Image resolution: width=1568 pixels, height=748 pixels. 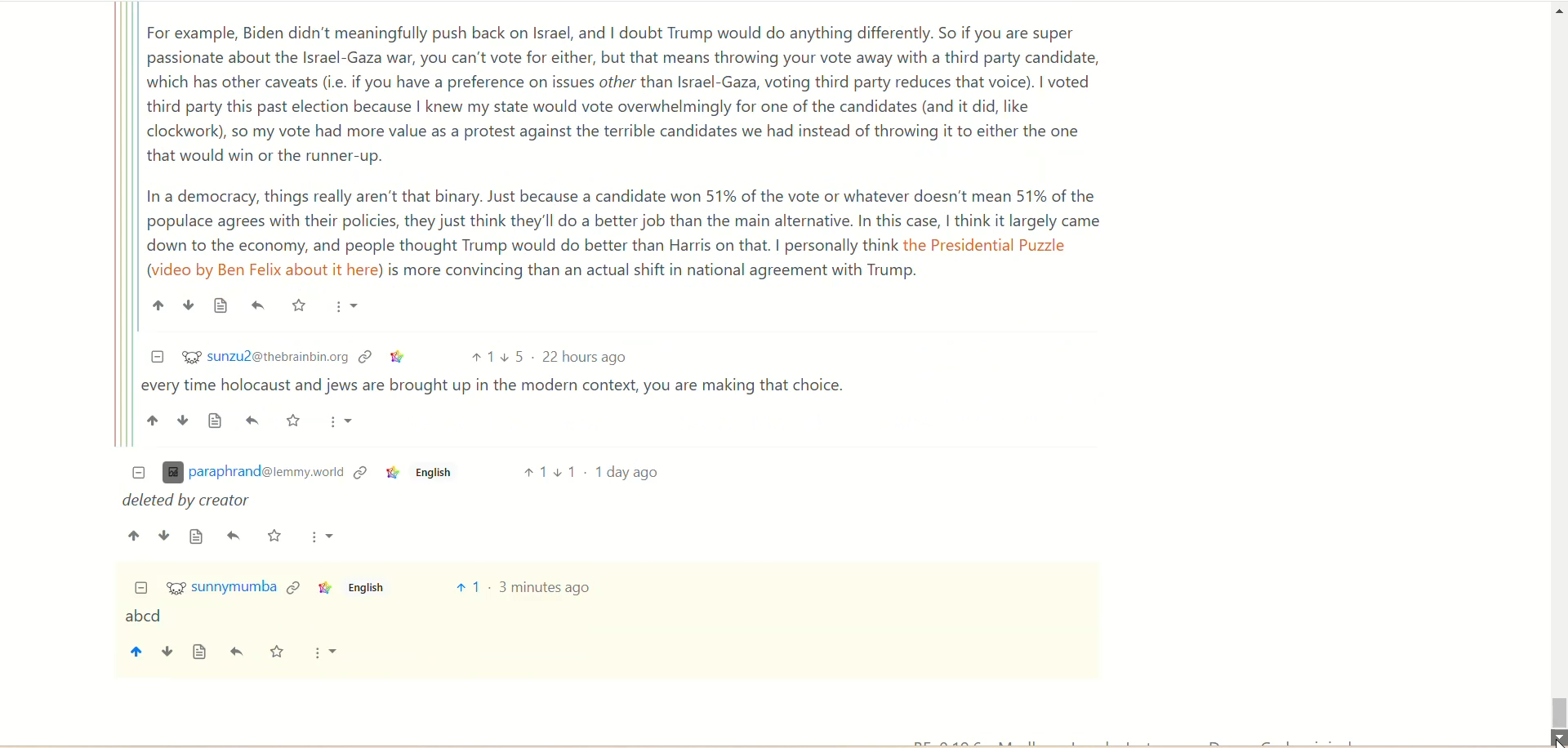 What do you see at coordinates (234, 536) in the screenshot?
I see `Reply` at bounding box center [234, 536].